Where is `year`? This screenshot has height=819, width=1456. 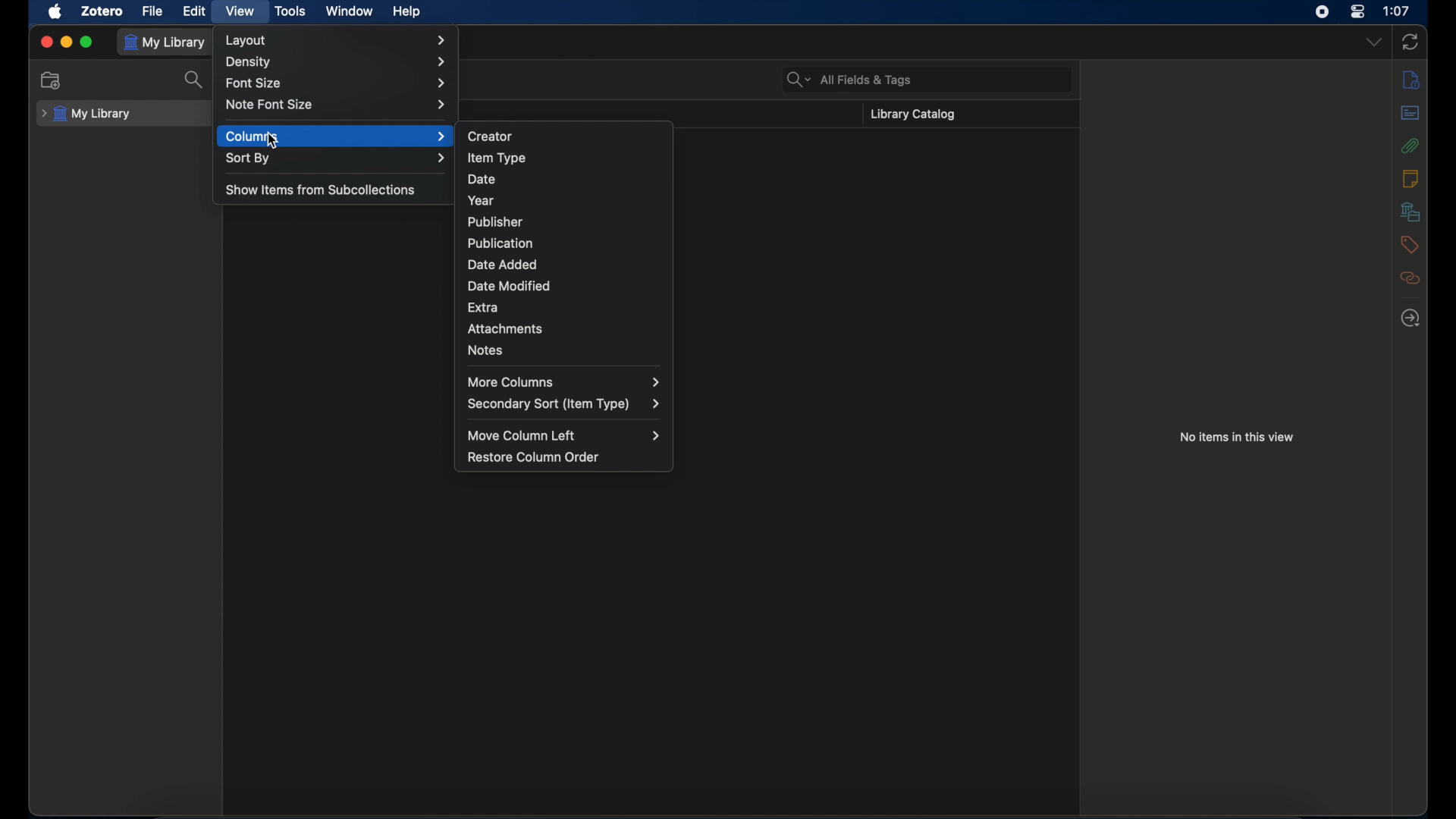
year is located at coordinates (482, 201).